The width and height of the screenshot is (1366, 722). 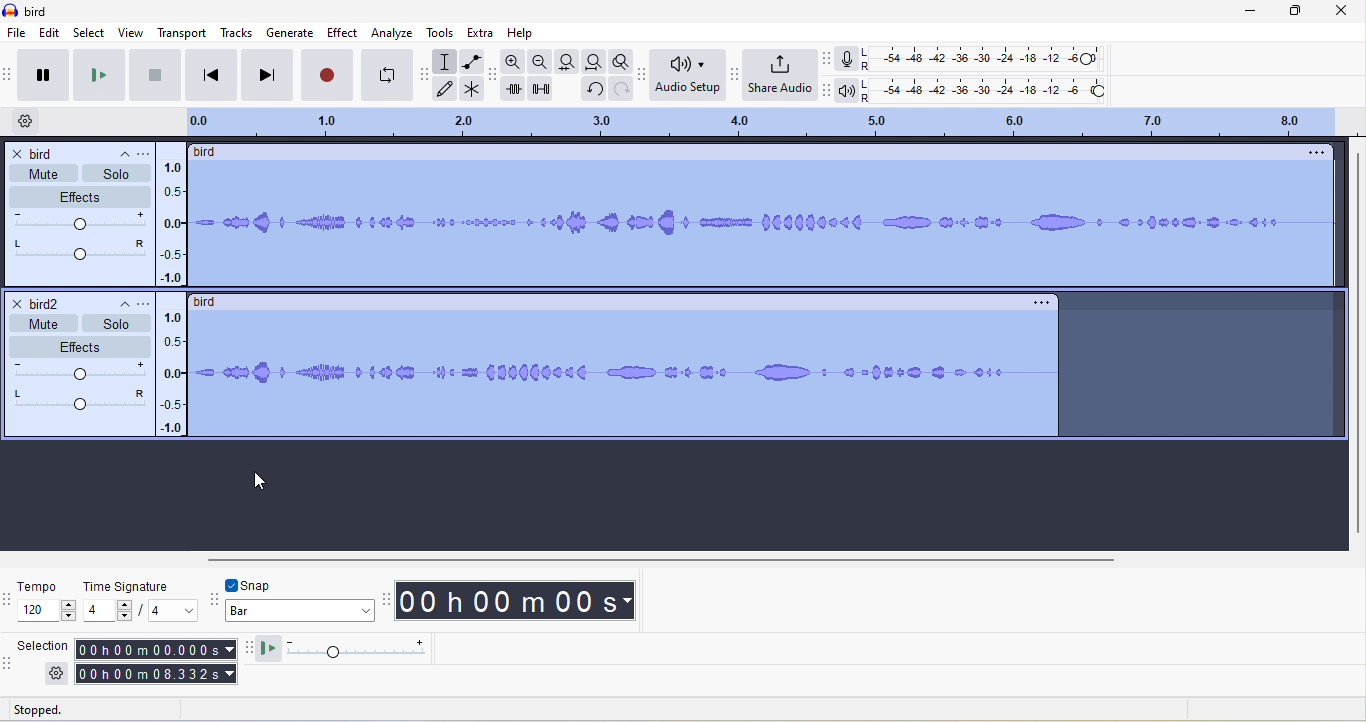 I want to click on audacity selection toolbar, so click(x=9, y=663).